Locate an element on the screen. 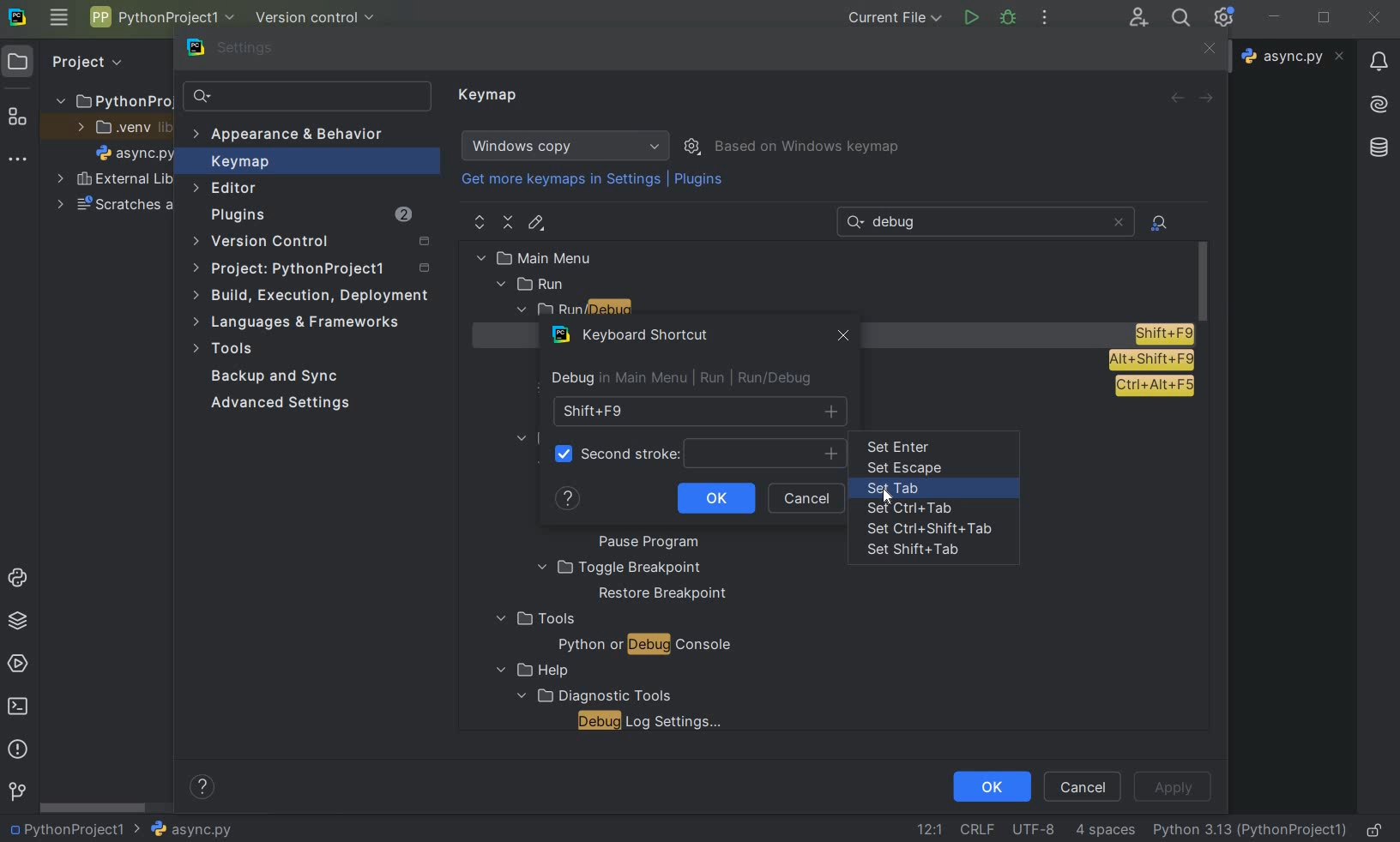  keymap is located at coordinates (238, 164).